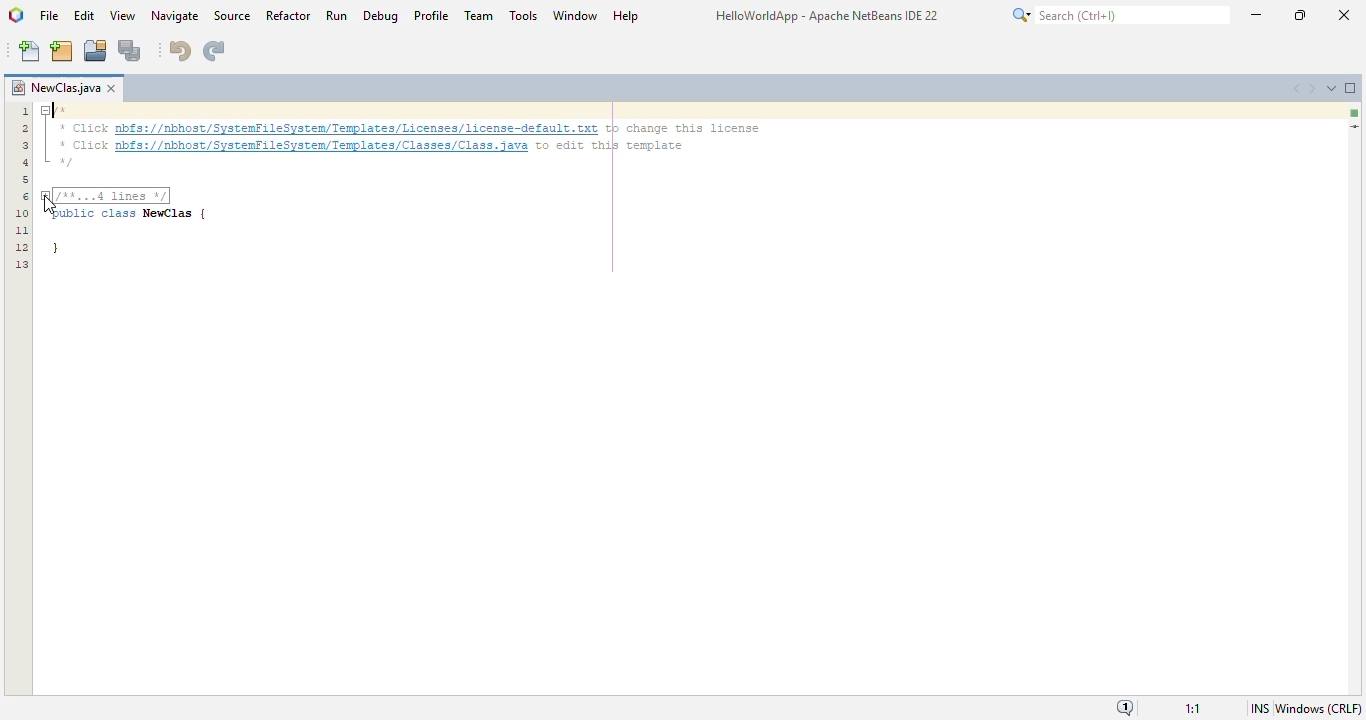 The height and width of the screenshot is (720, 1366). What do you see at coordinates (1354, 126) in the screenshot?
I see `current line` at bounding box center [1354, 126].